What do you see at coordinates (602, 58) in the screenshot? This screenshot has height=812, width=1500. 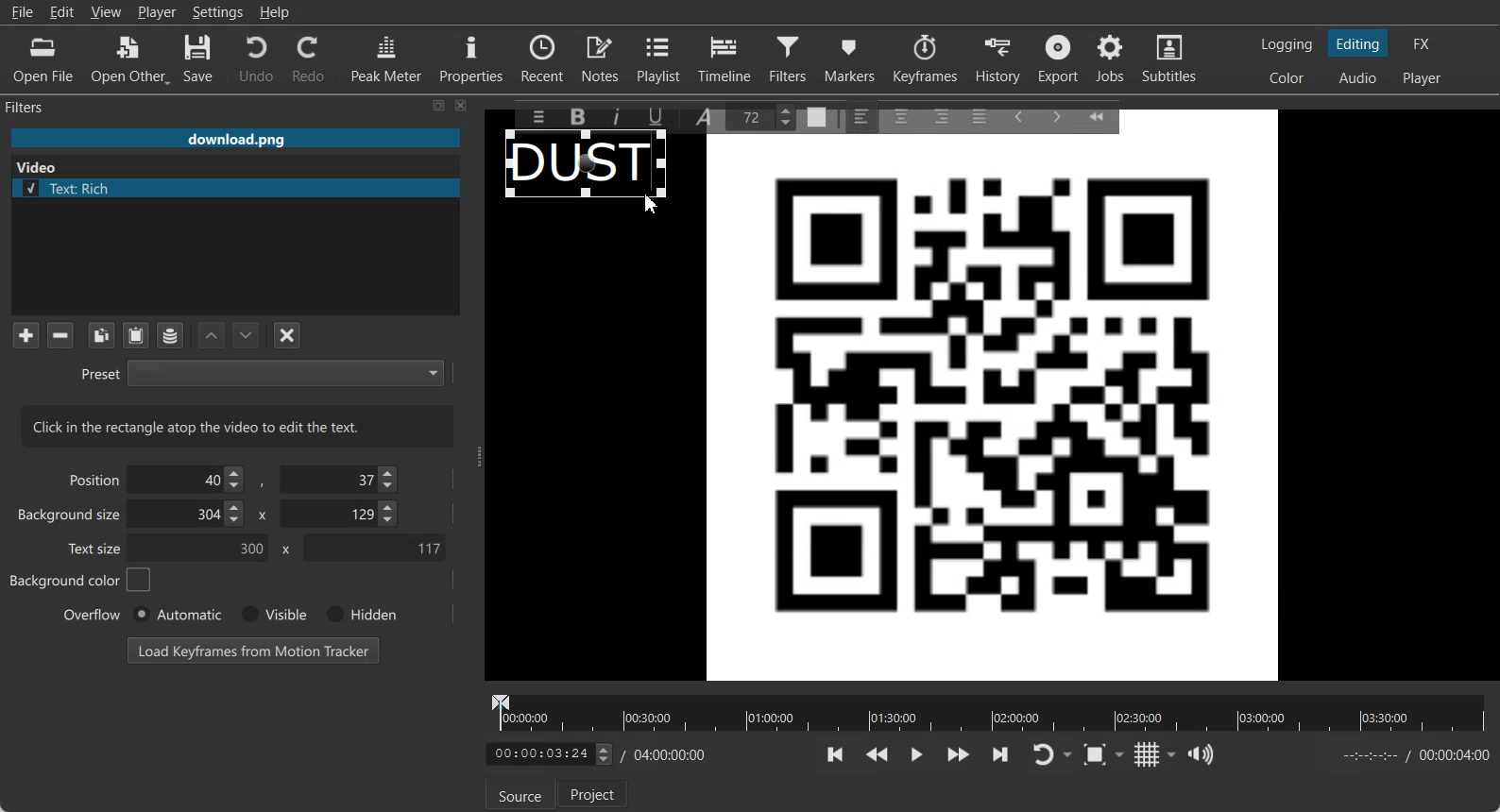 I see `Notes` at bounding box center [602, 58].